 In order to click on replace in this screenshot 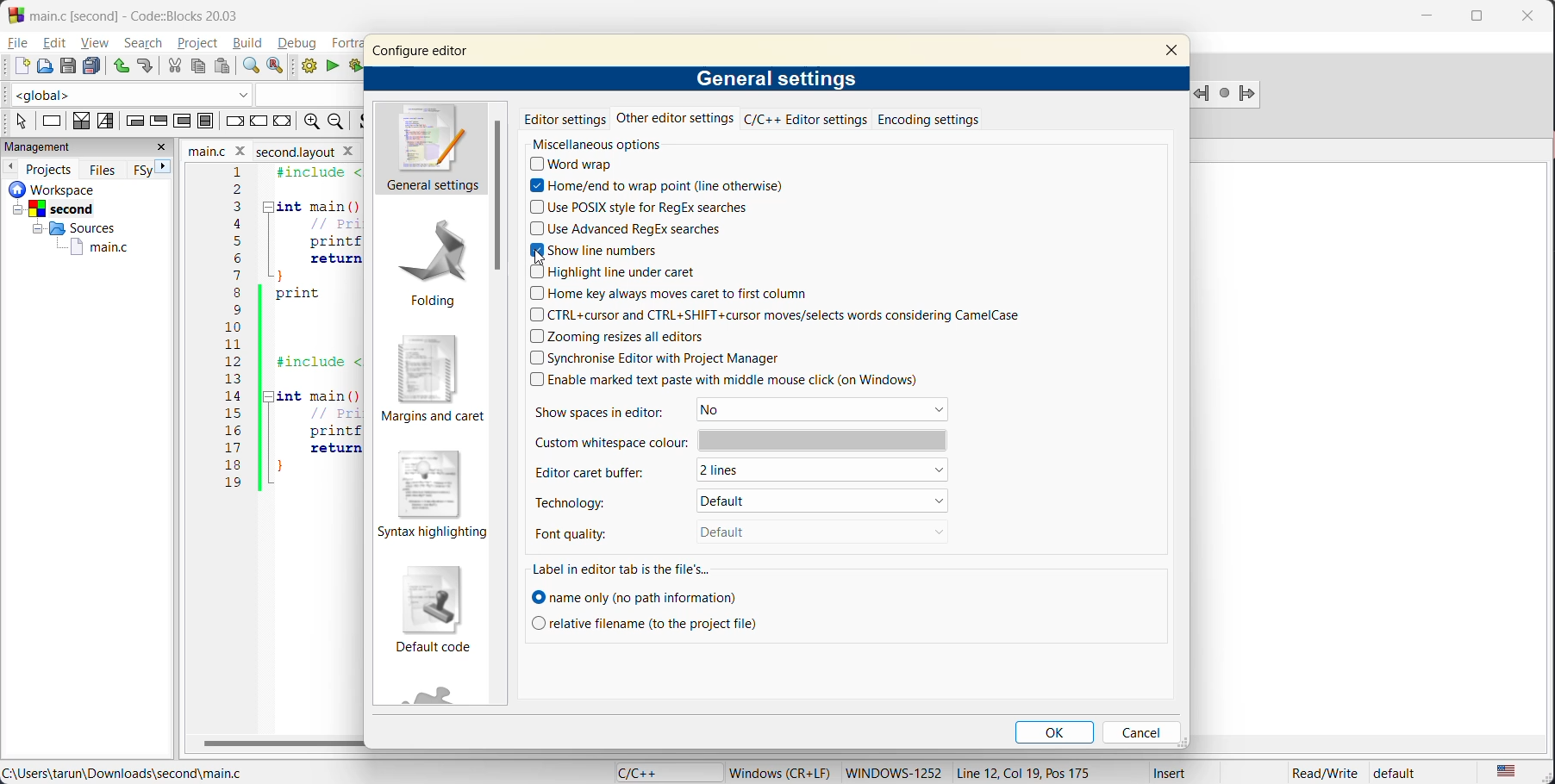, I will do `click(279, 66)`.